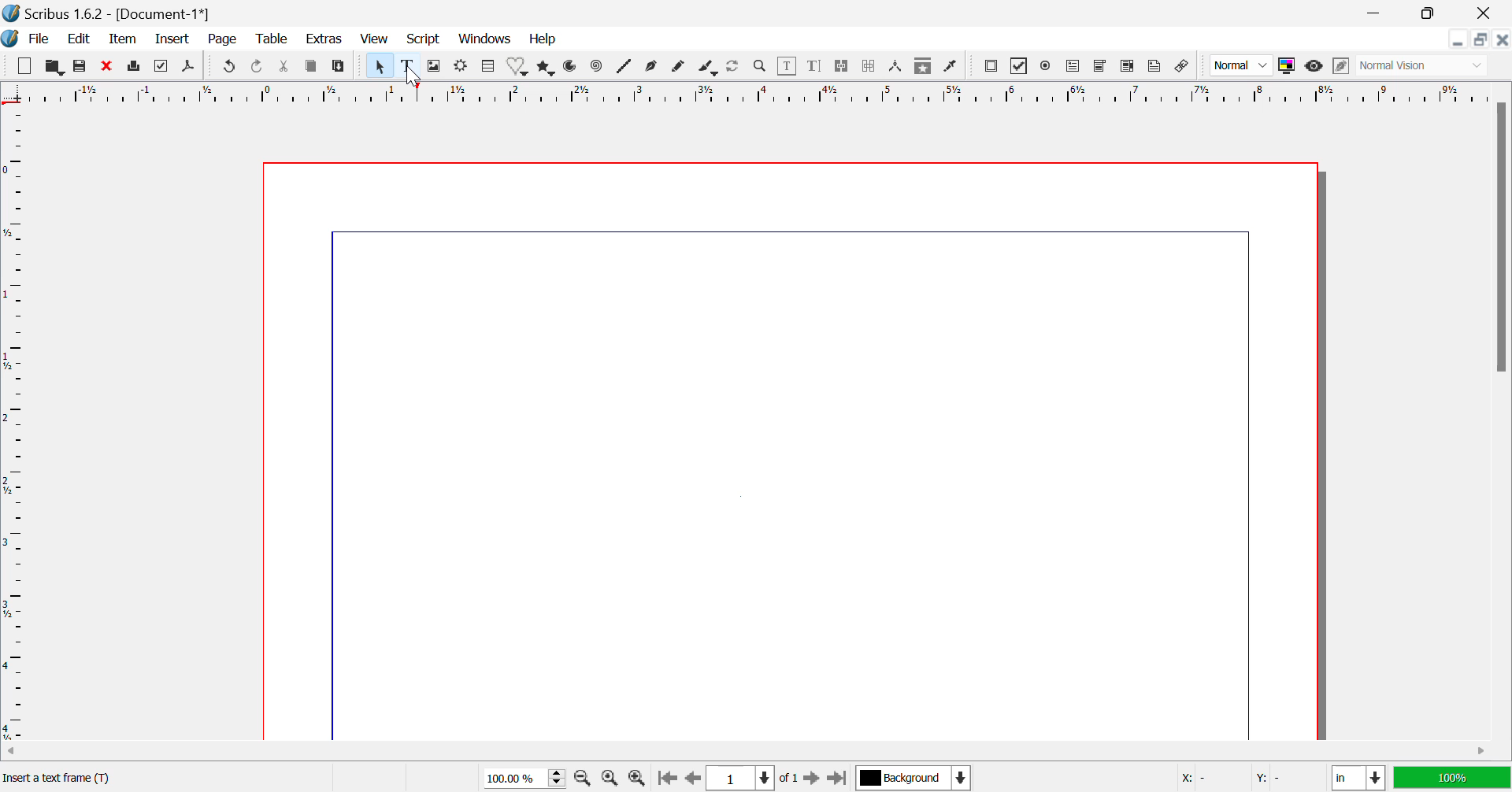 This screenshot has height=792, width=1512. Describe the element at coordinates (1125, 67) in the screenshot. I see `Pdf List box` at that location.